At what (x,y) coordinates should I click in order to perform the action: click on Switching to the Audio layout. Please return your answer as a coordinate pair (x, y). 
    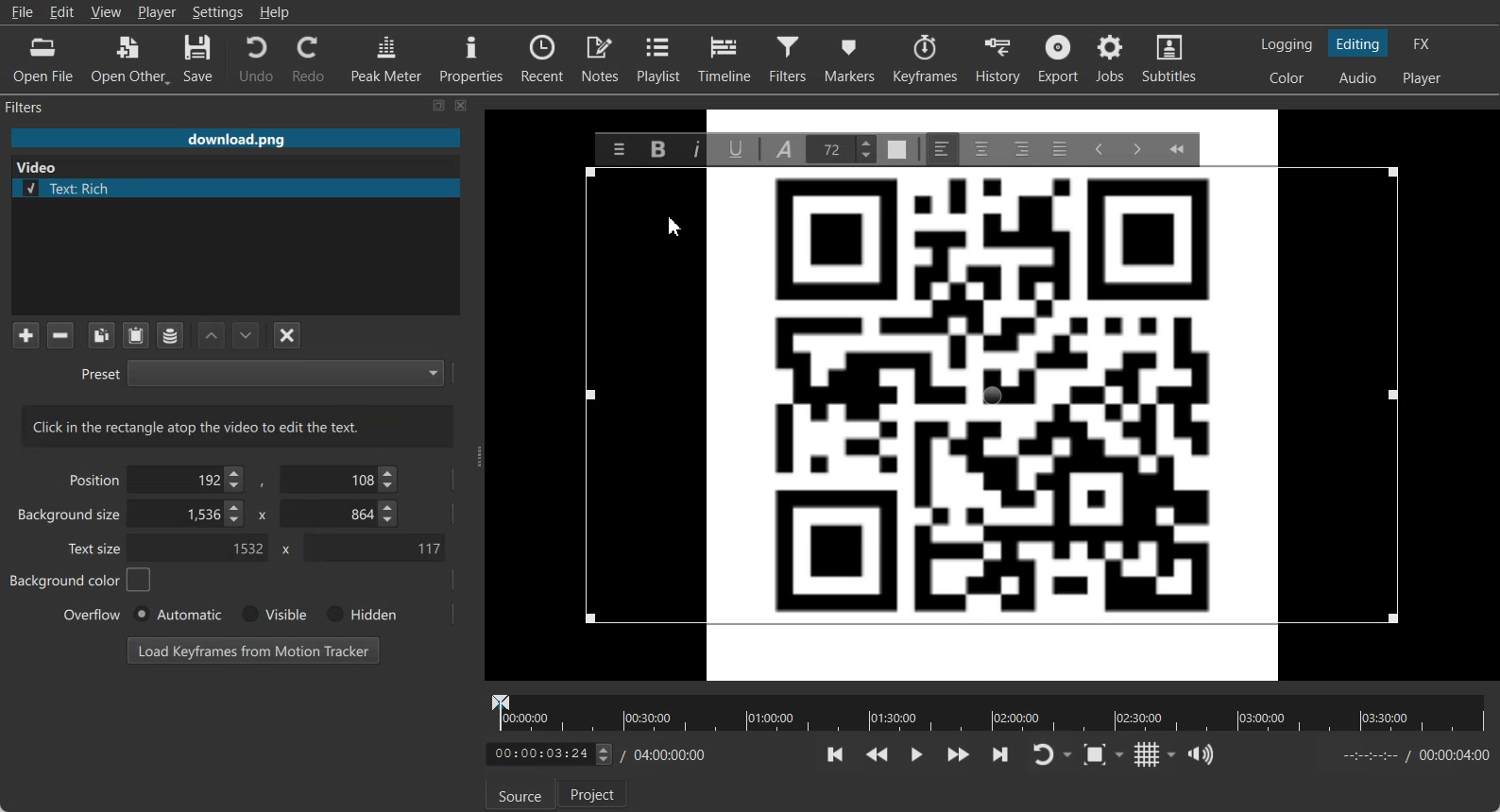
    Looking at the image, I should click on (1359, 78).